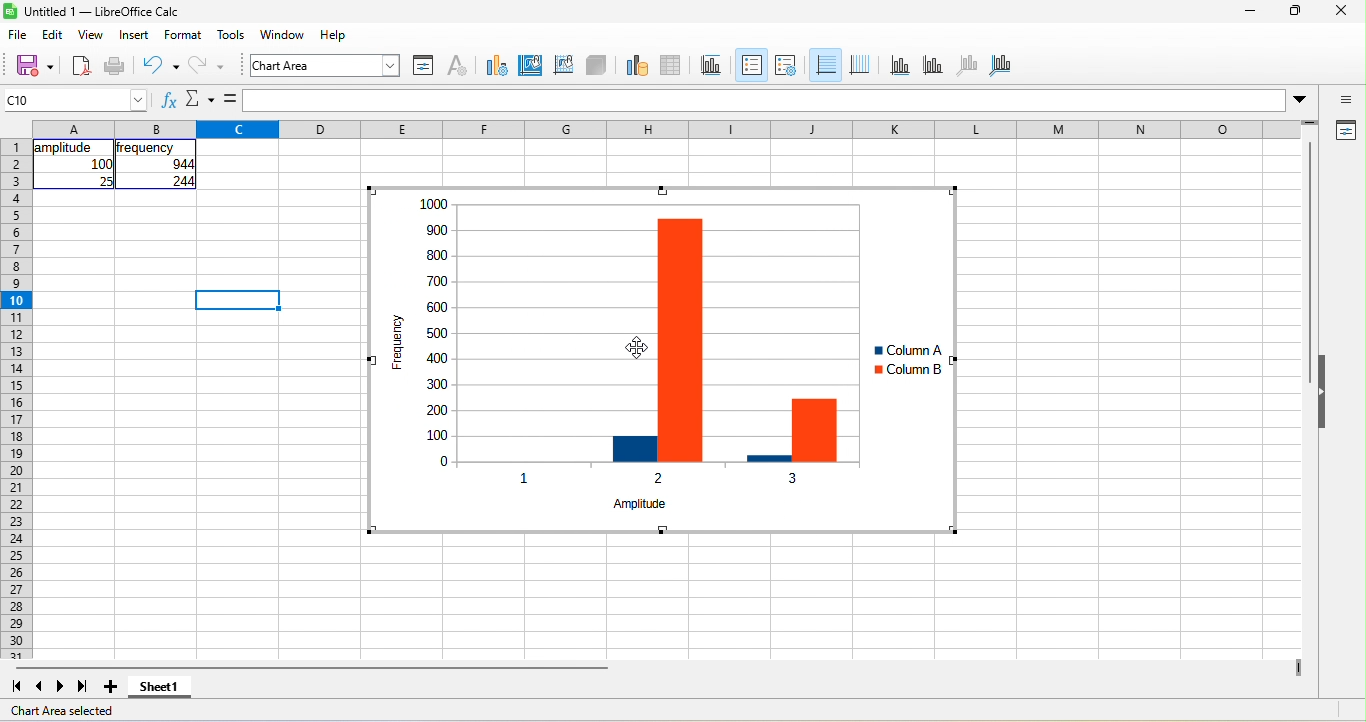 The height and width of the screenshot is (722, 1366). I want to click on character, so click(458, 66).